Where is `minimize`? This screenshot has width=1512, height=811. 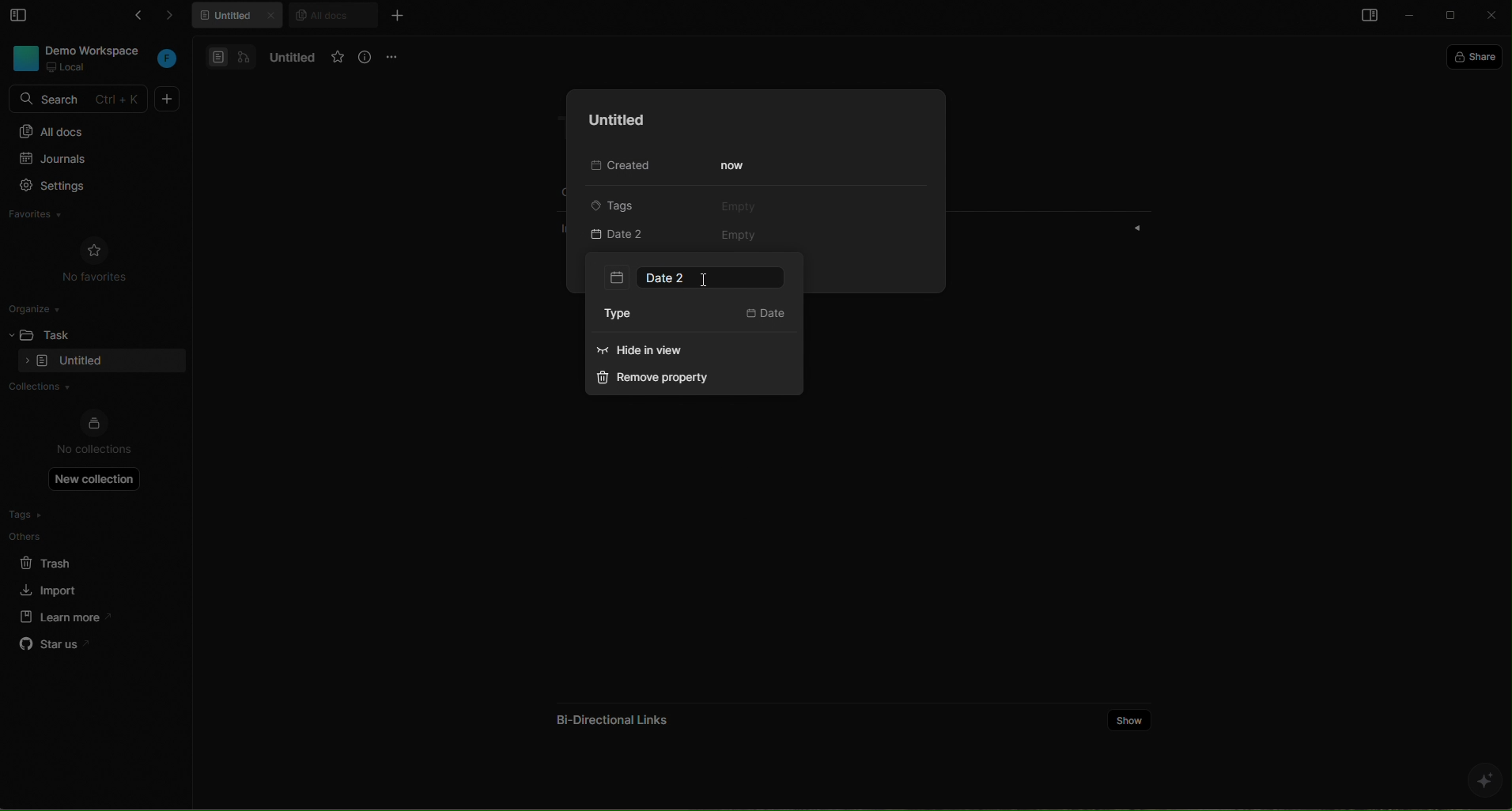
minimize is located at coordinates (1411, 17).